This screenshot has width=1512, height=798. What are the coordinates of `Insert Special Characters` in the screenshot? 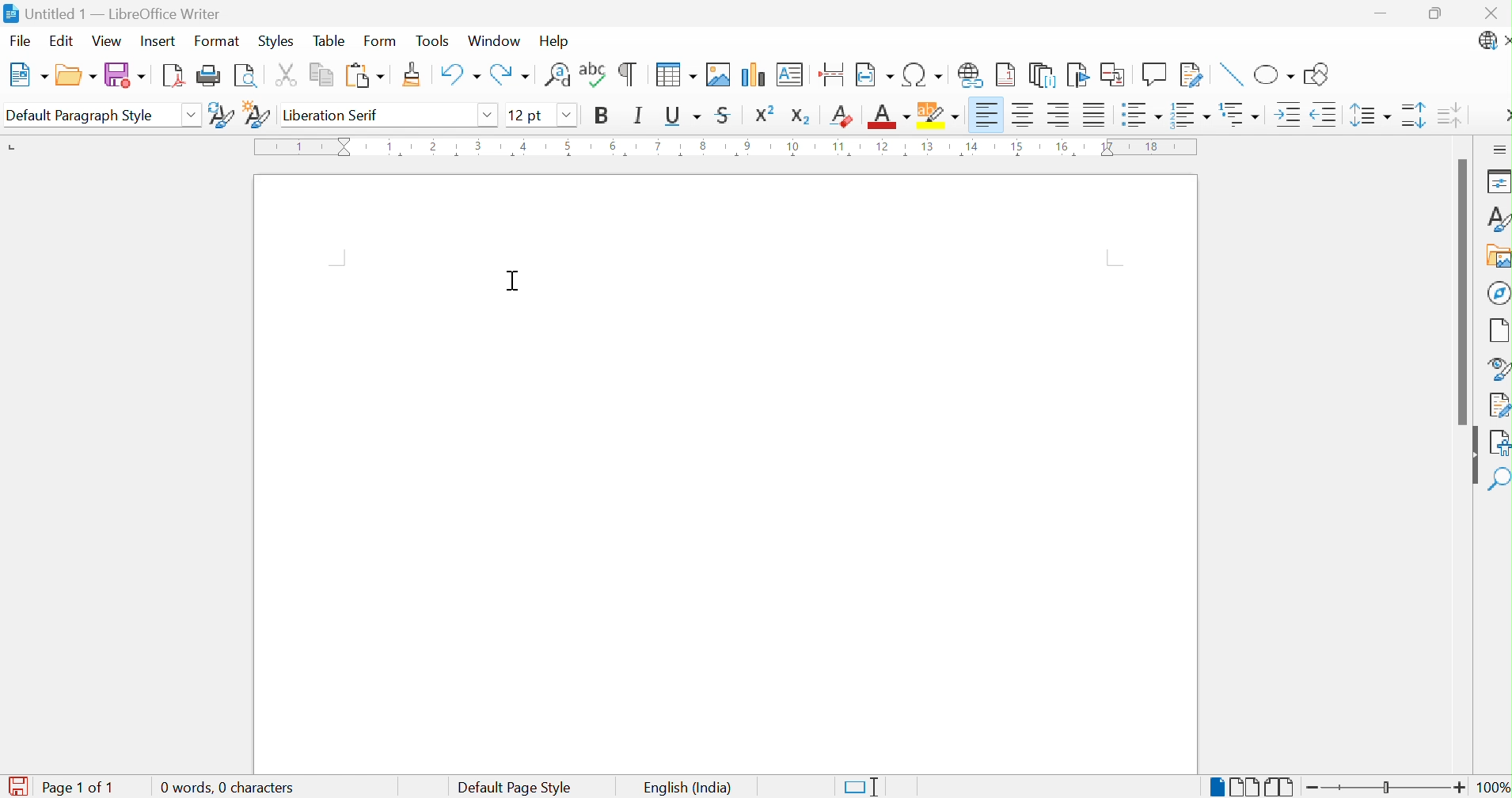 It's located at (922, 74).